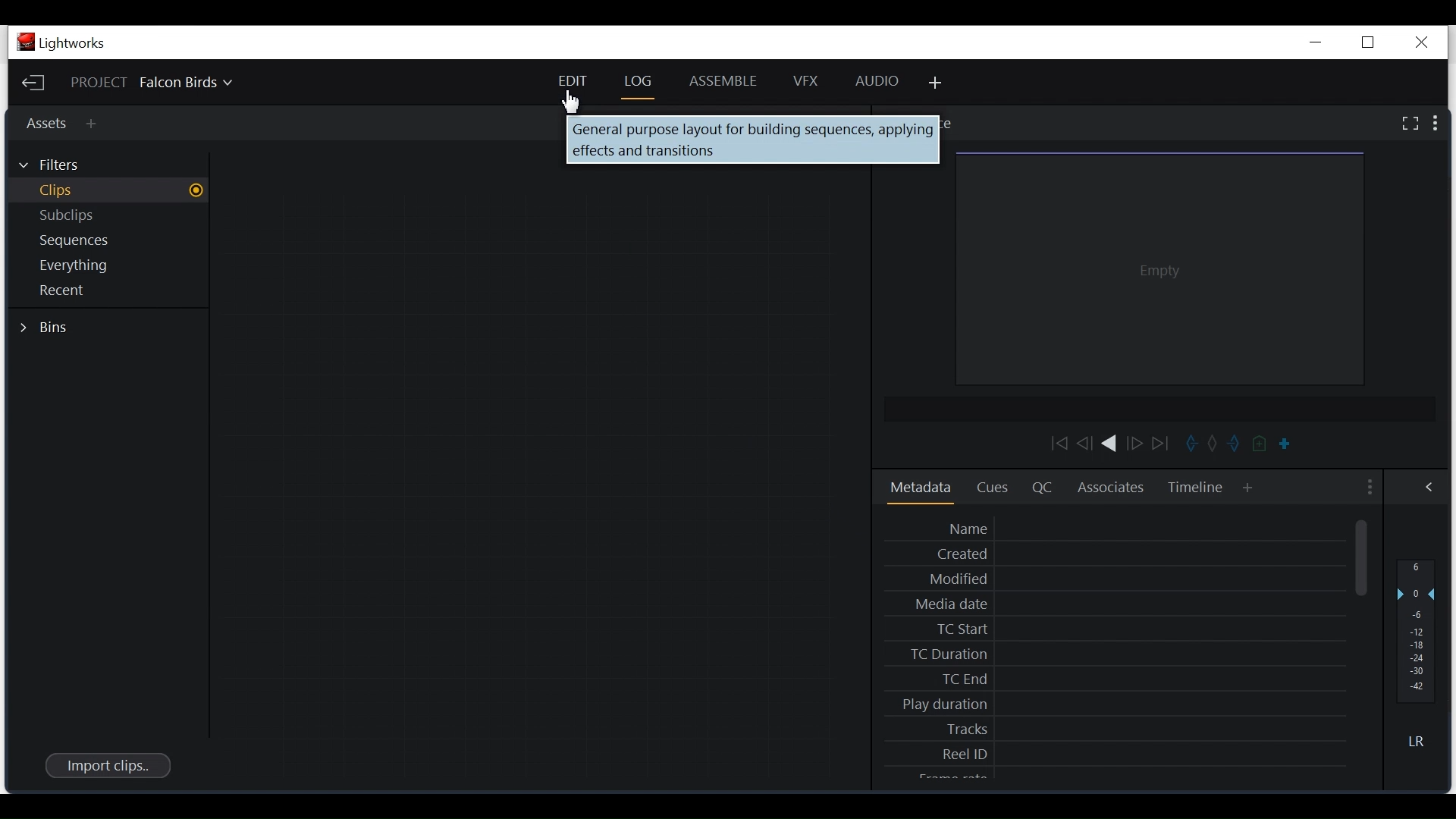 This screenshot has width=1456, height=819. Describe the element at coordinates (106, 266) in the screenshot. I see `Show Everything within the project` at that location.